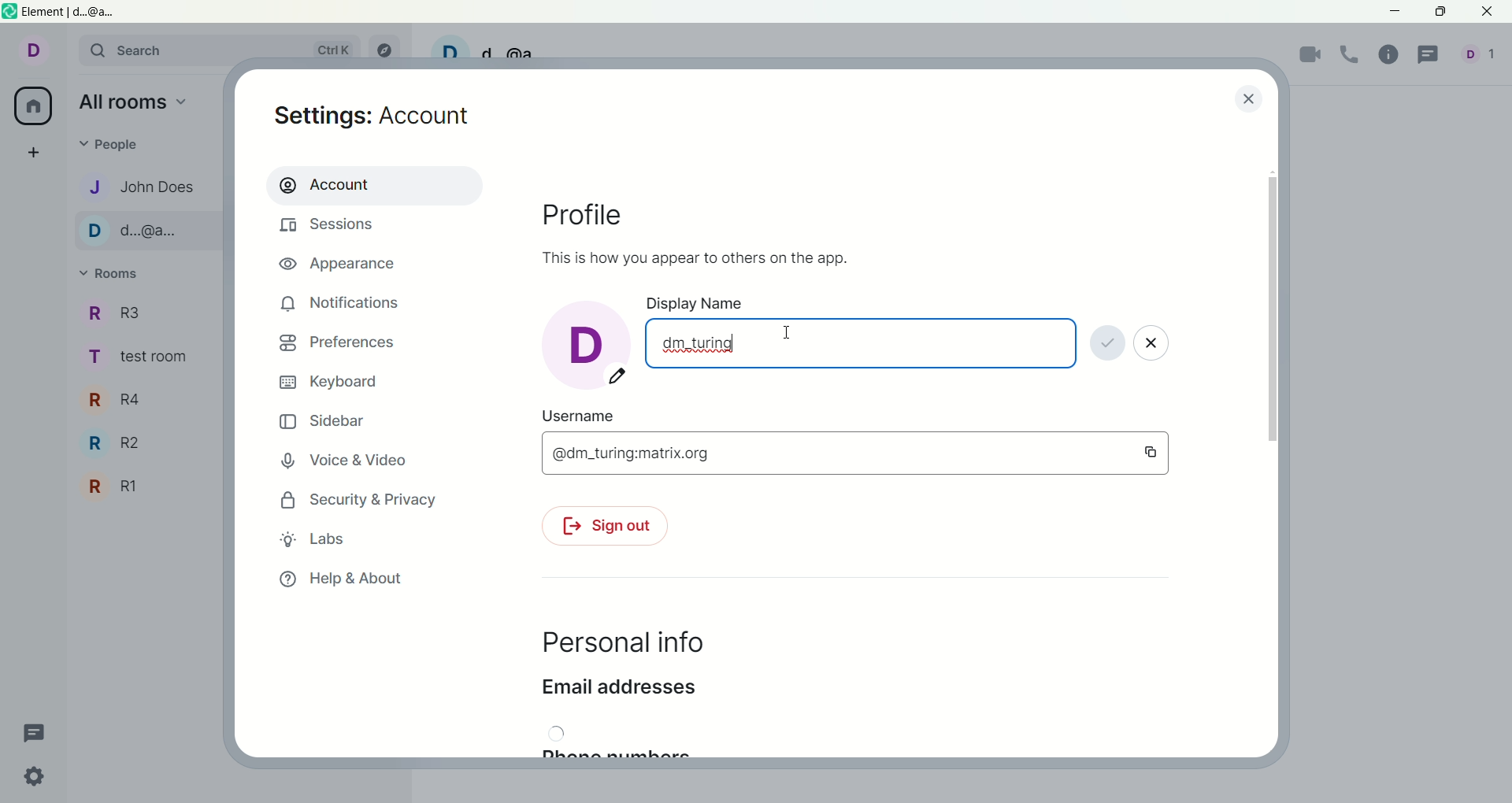 This screenshot has width=1512, height=803. I want to click on John DOES, so click(136, 186).